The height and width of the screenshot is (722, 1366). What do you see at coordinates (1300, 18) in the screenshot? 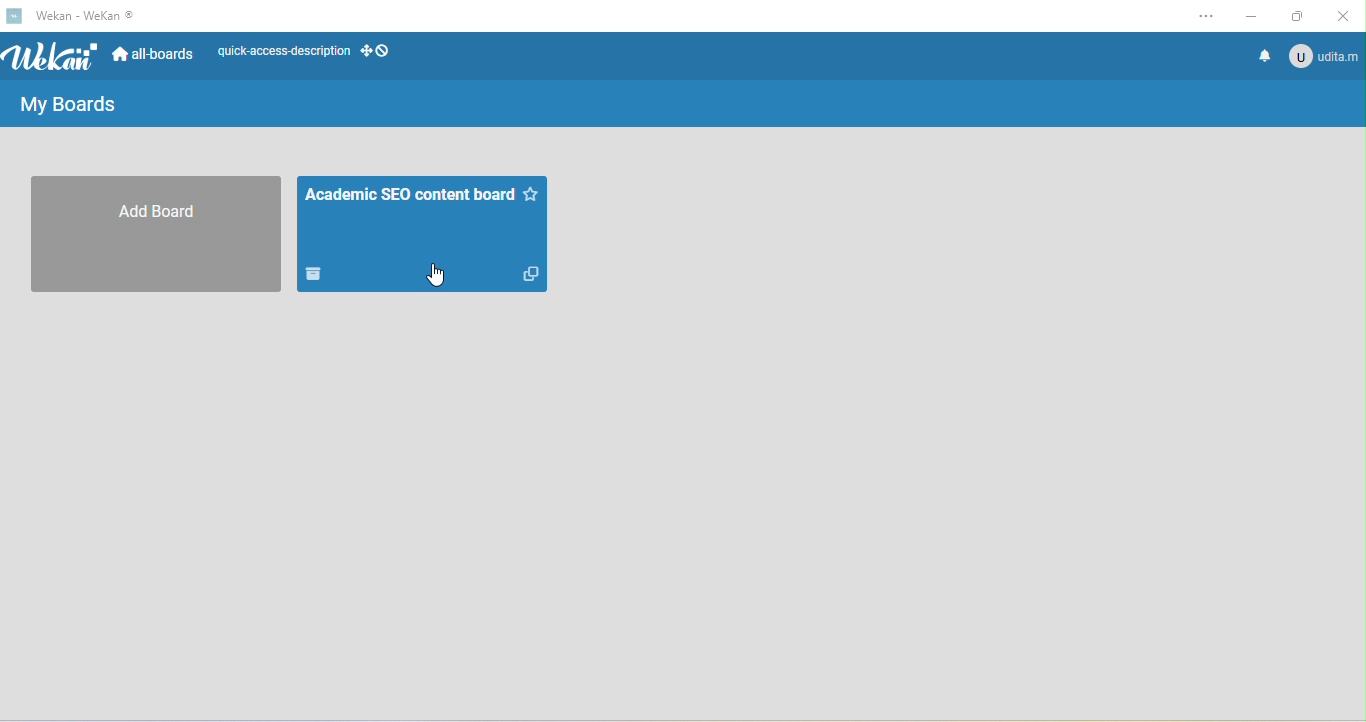
I see `maximize` at bounding box center [1300, 18].